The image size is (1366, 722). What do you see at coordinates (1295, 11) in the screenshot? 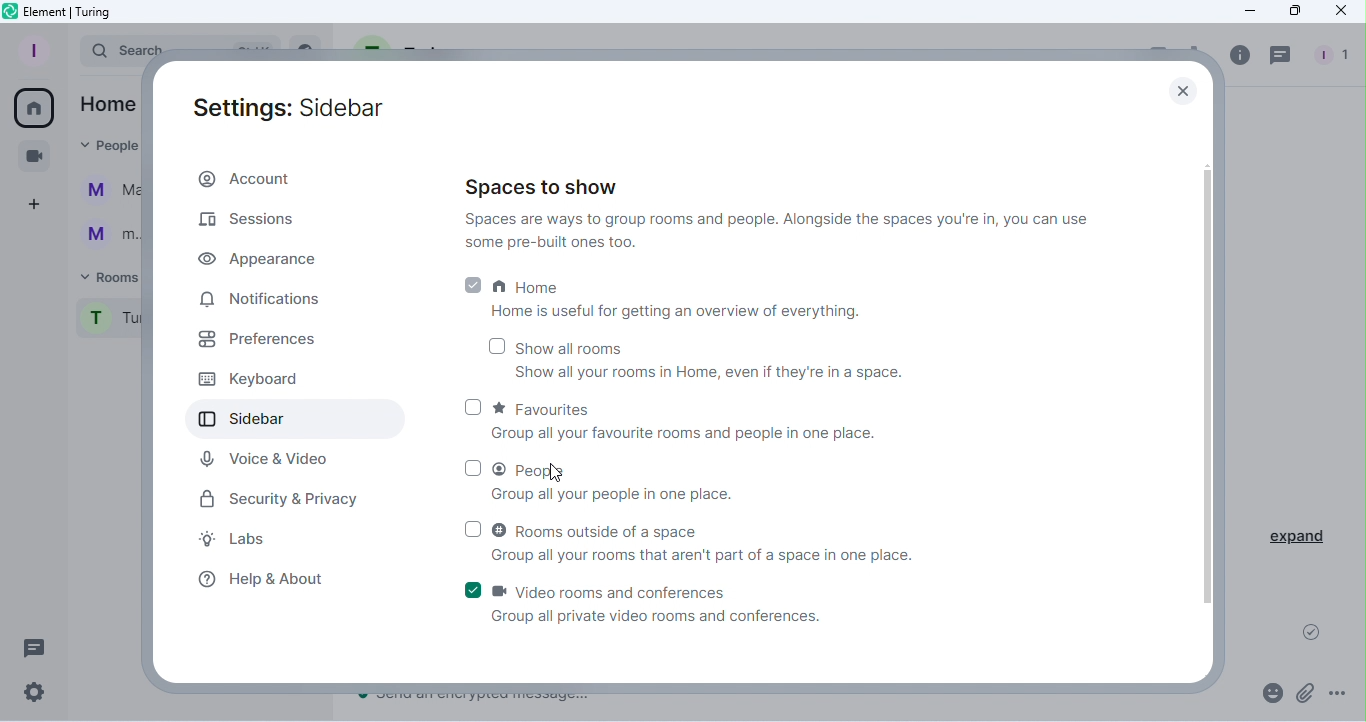
I see `Maximize` at bounding box center [1295, 11].